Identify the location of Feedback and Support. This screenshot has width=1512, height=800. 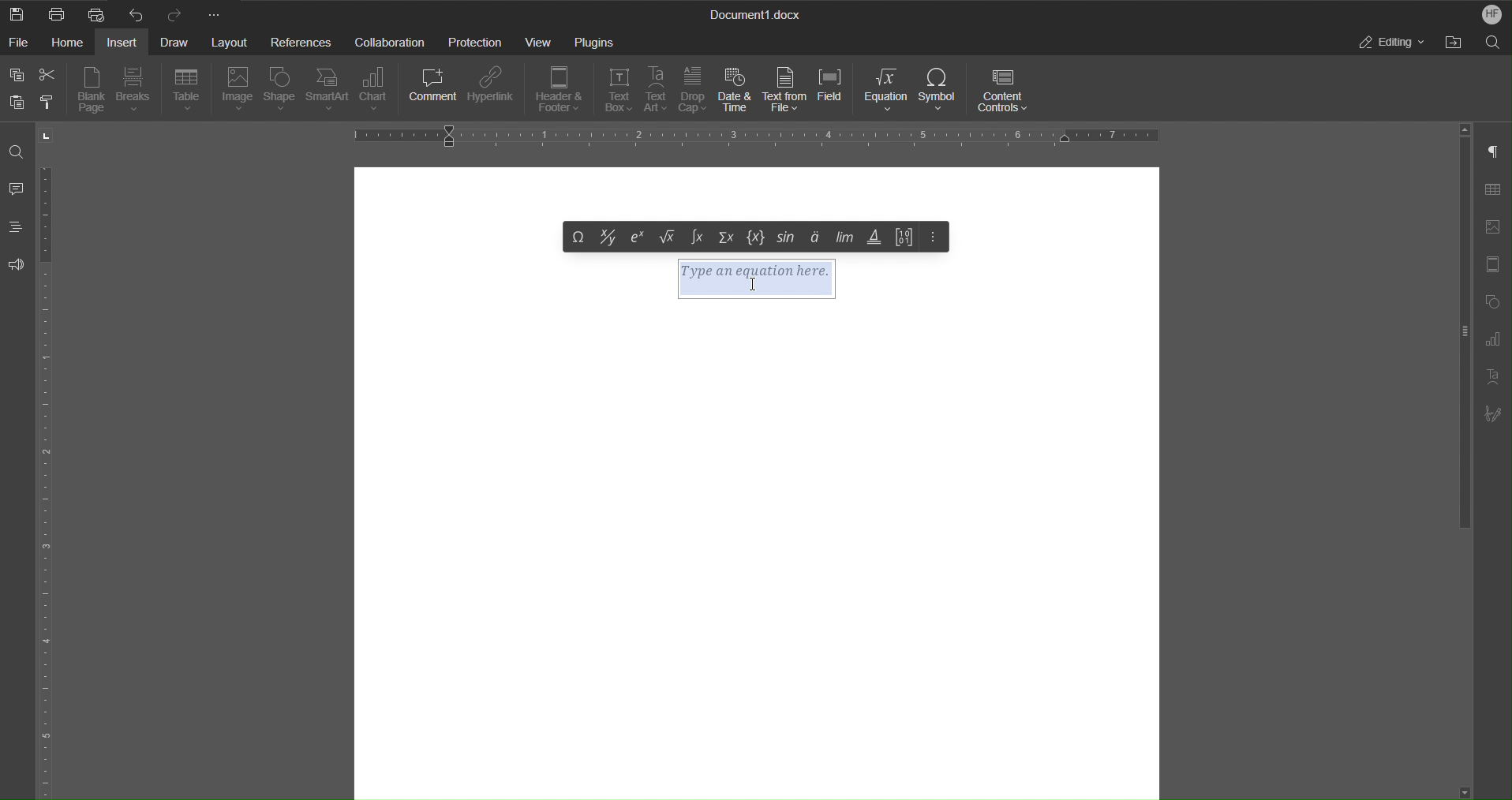
(17, 267).